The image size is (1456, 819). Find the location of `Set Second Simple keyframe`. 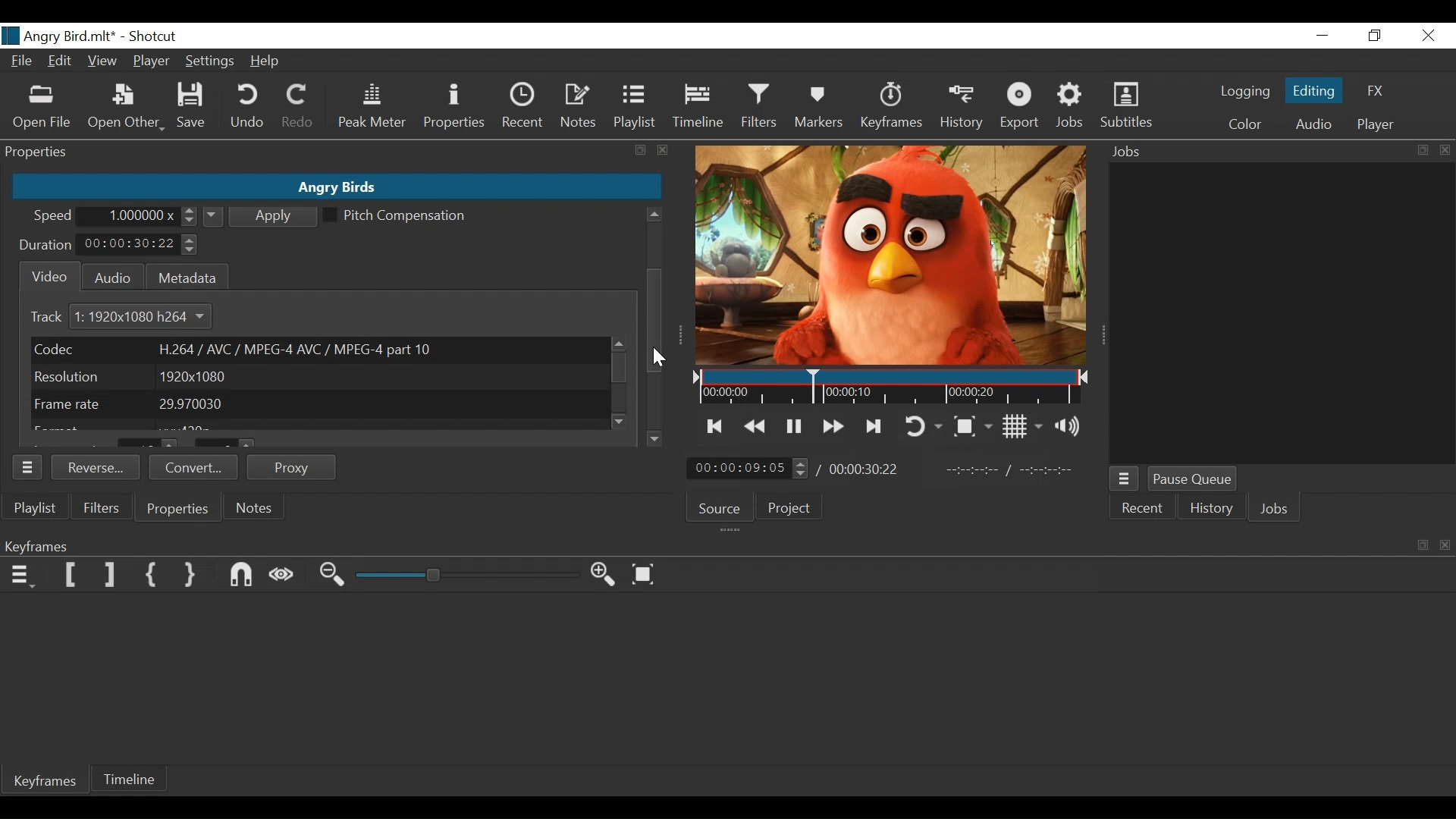

Set Second Simple keyframe is located at coordinates (193, 576).